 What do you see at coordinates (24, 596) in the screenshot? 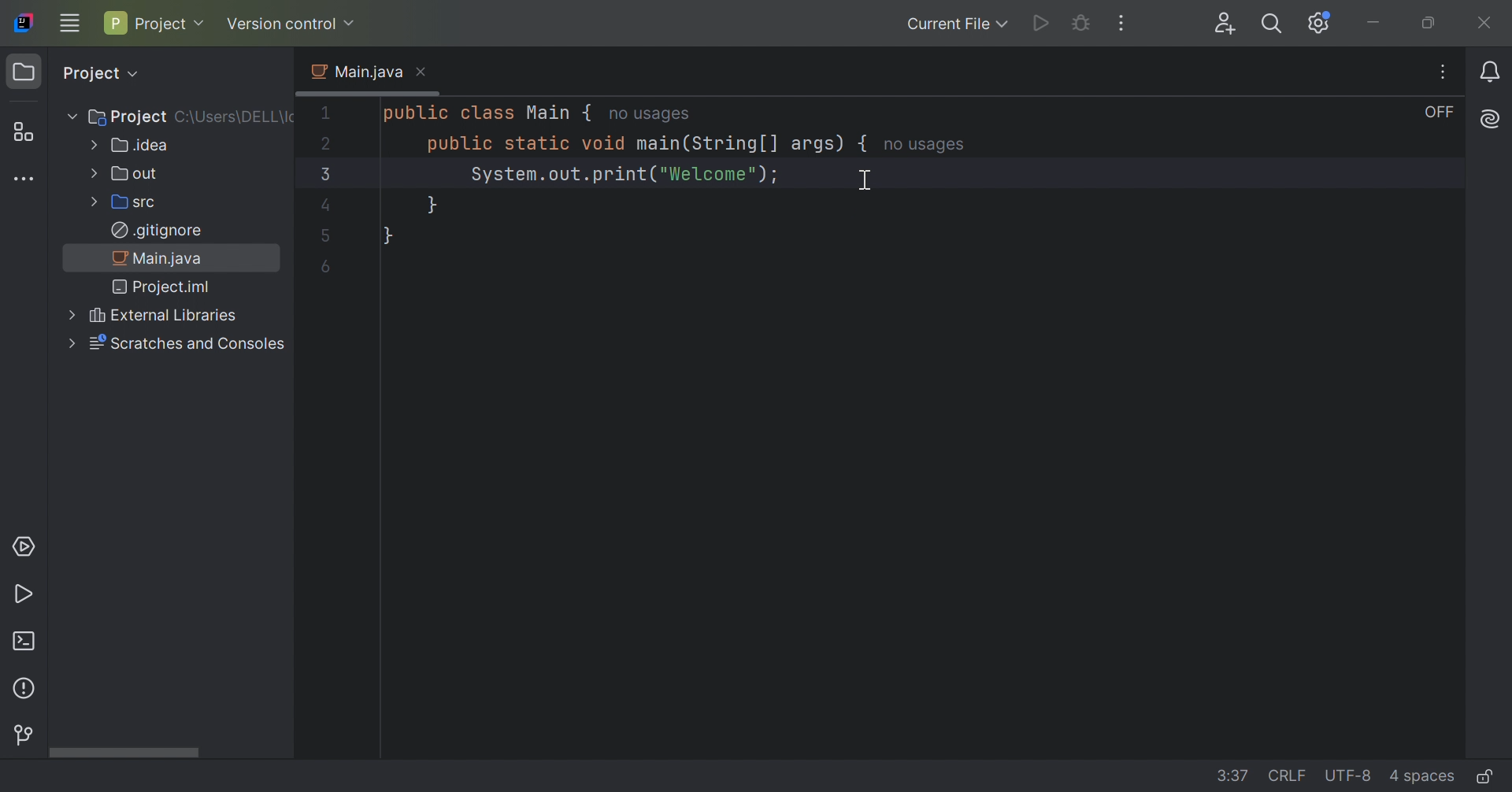
I see `Run` at bounding box center [24, 596].